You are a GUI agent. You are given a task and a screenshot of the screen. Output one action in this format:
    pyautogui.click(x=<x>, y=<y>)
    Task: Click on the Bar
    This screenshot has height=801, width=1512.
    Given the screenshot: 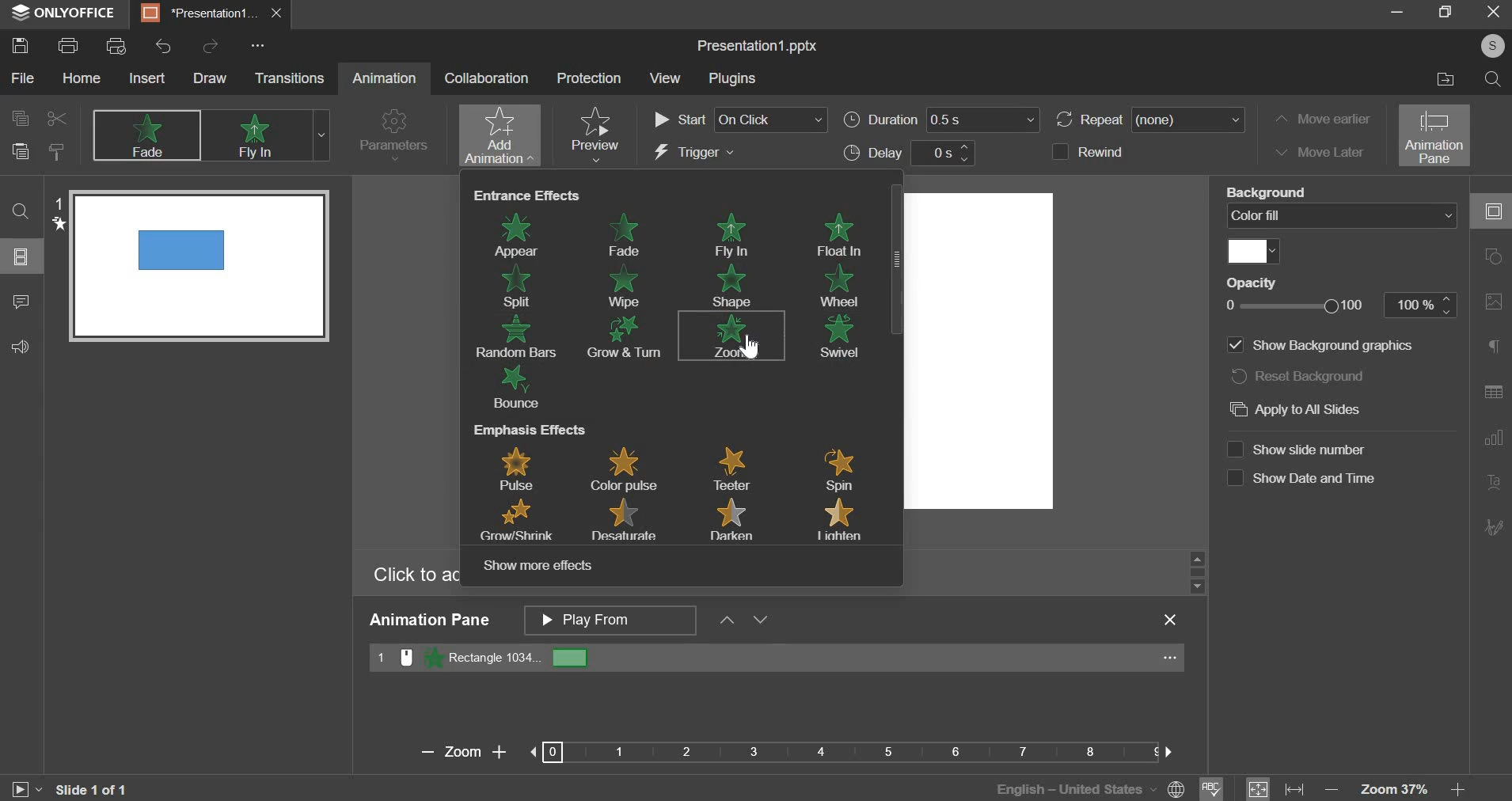 What is the action you would take?
    pyautogui.click(x=846, y=754)
    